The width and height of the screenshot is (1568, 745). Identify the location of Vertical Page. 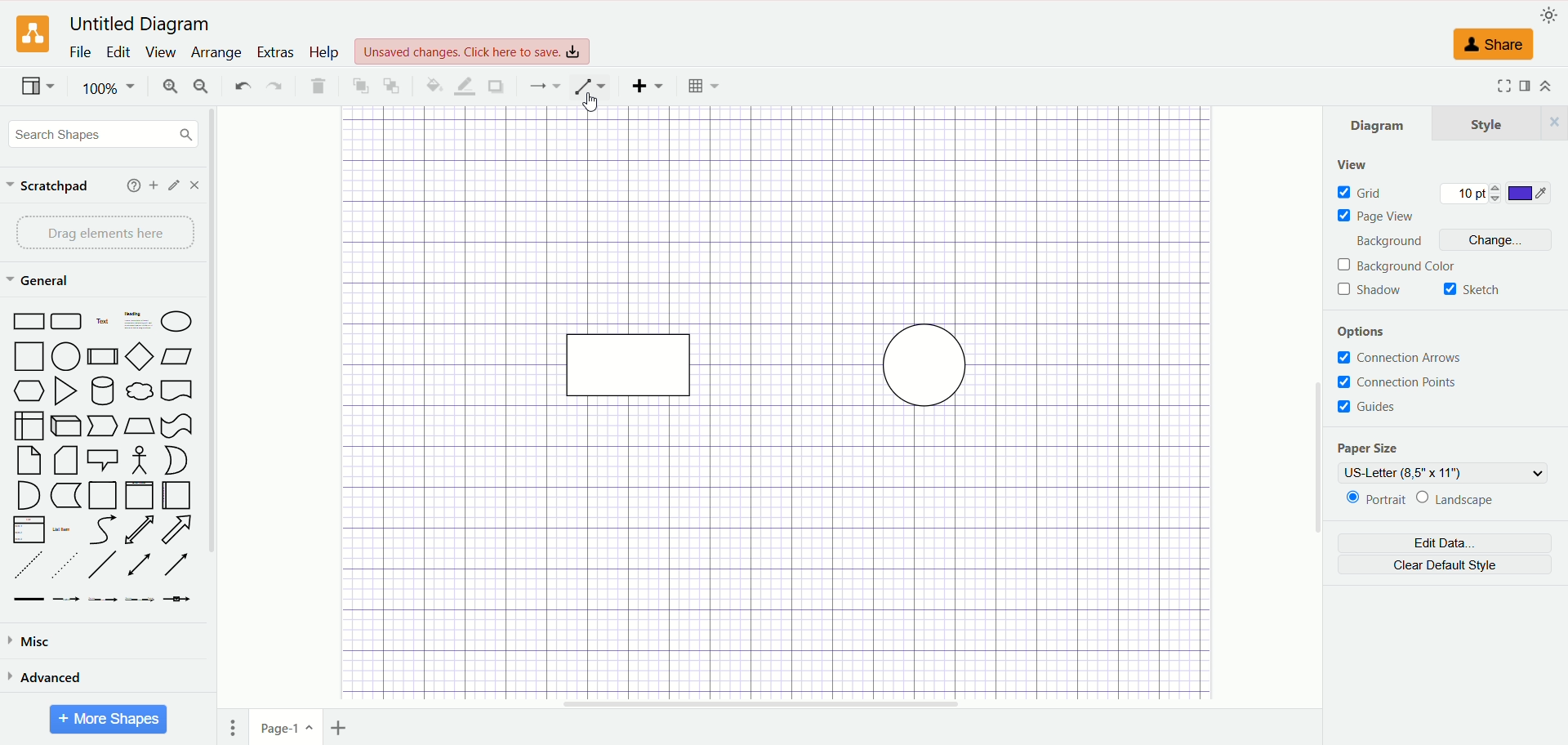
(140, 495).